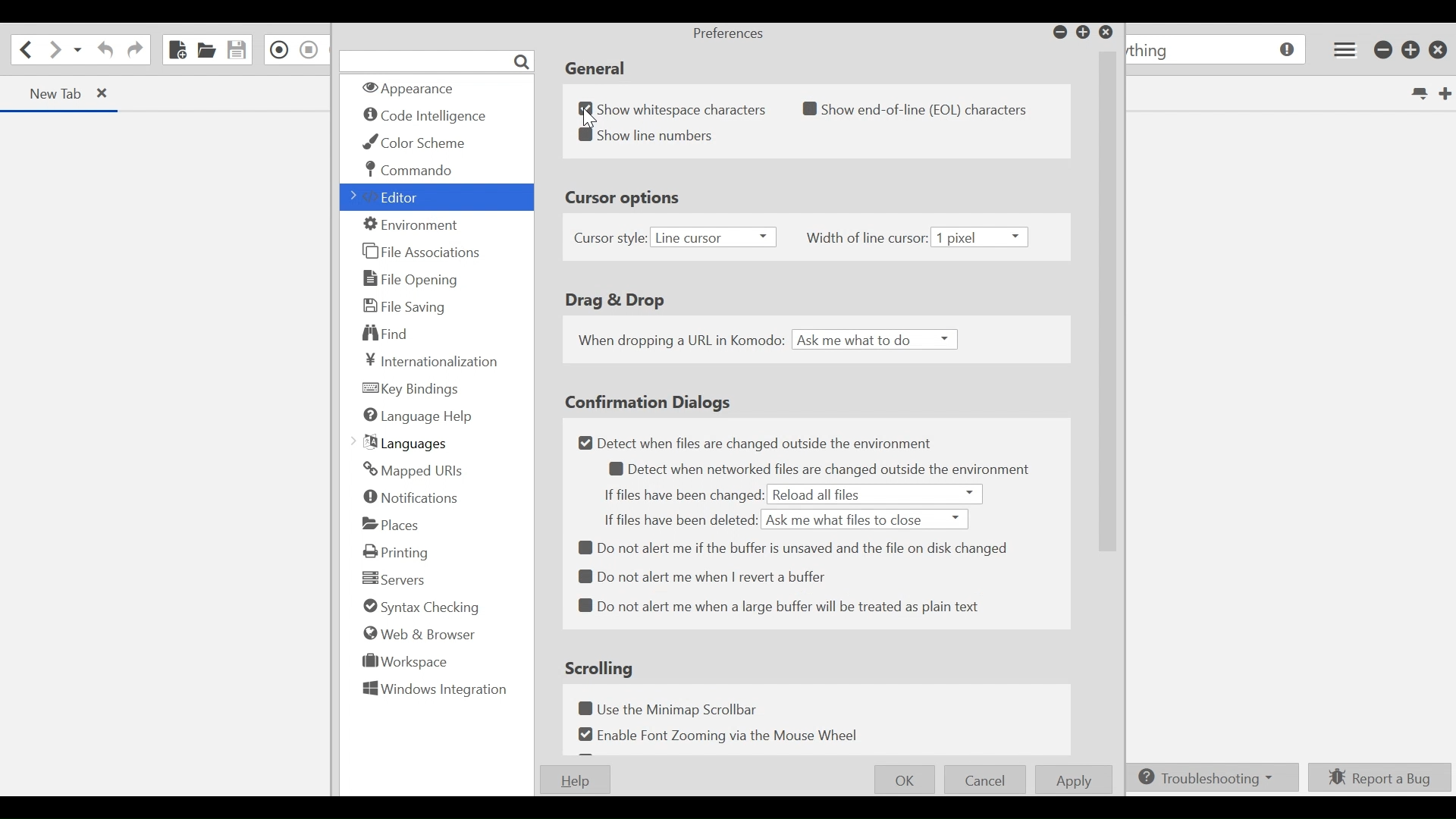  I want to click on Drag & Drop, so click(613, 301).